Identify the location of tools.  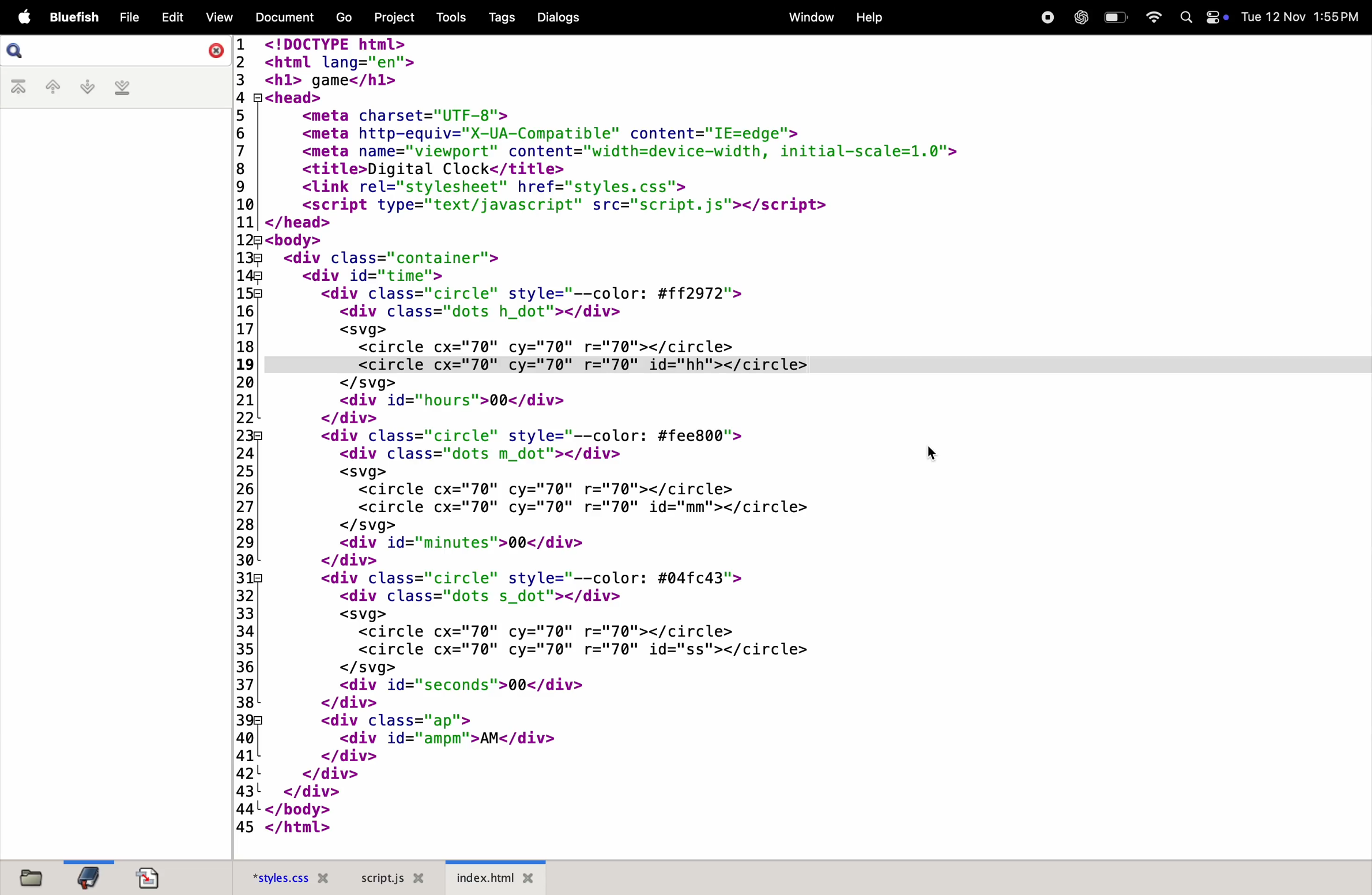
(447, 17).